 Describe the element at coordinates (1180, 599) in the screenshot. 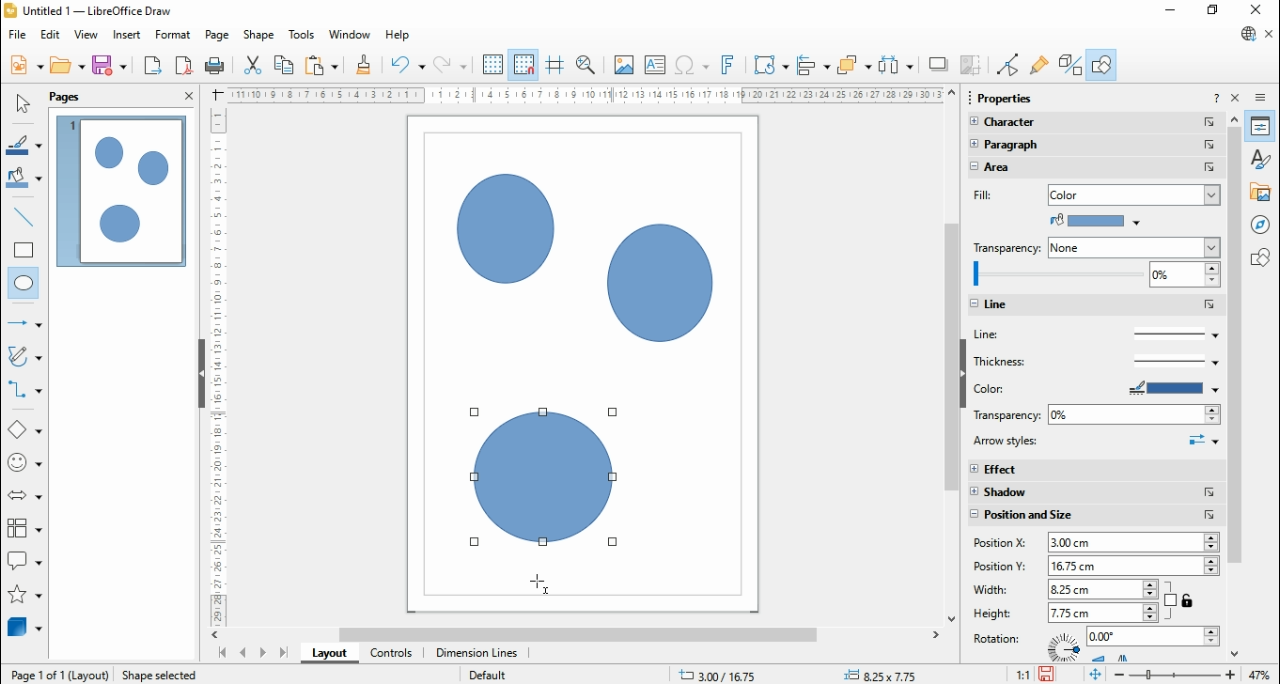

I see `constrain proportions` at that location.